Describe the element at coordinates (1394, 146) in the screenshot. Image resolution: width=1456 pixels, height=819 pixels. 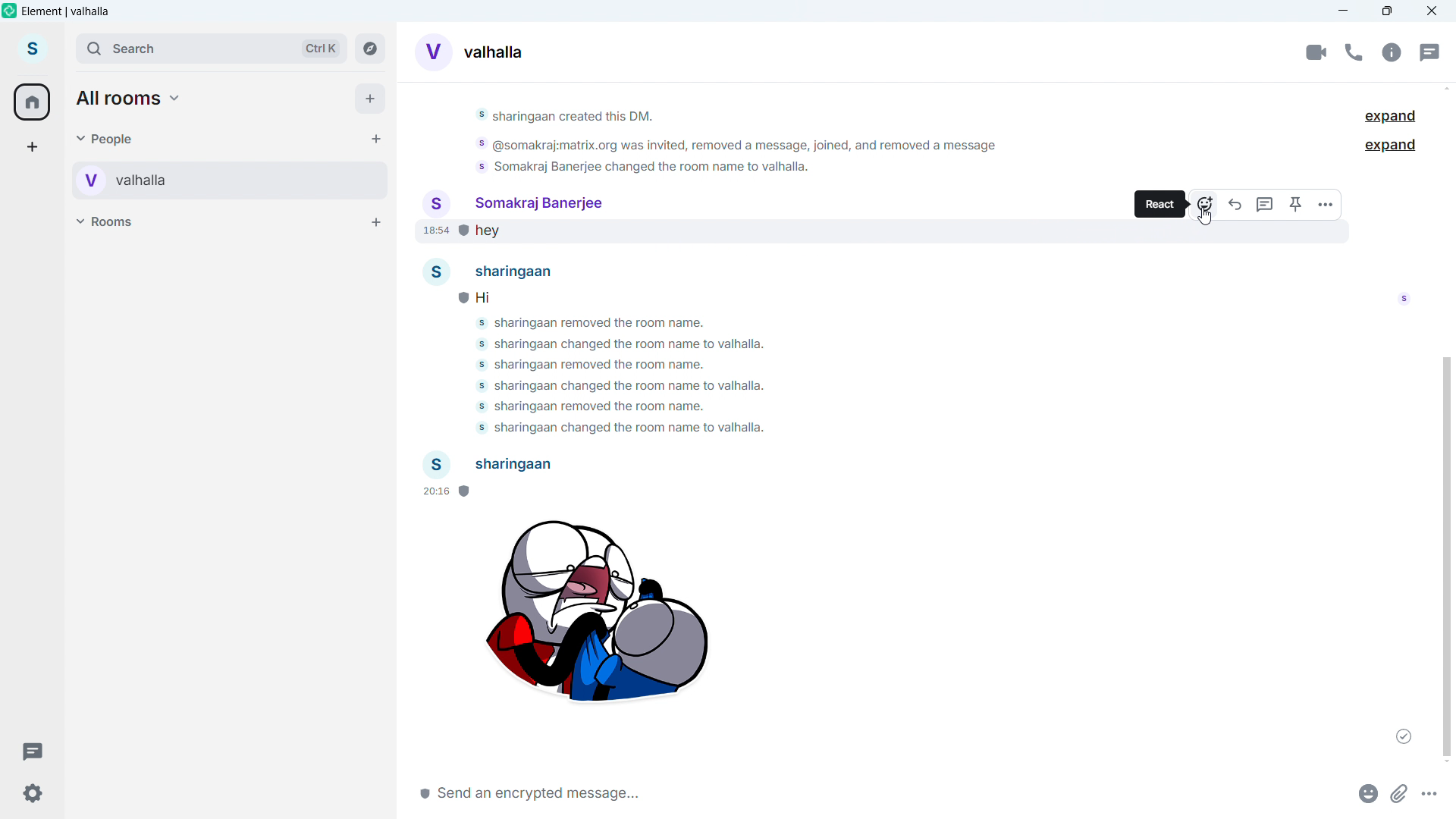
I see `Expand ` at that location.